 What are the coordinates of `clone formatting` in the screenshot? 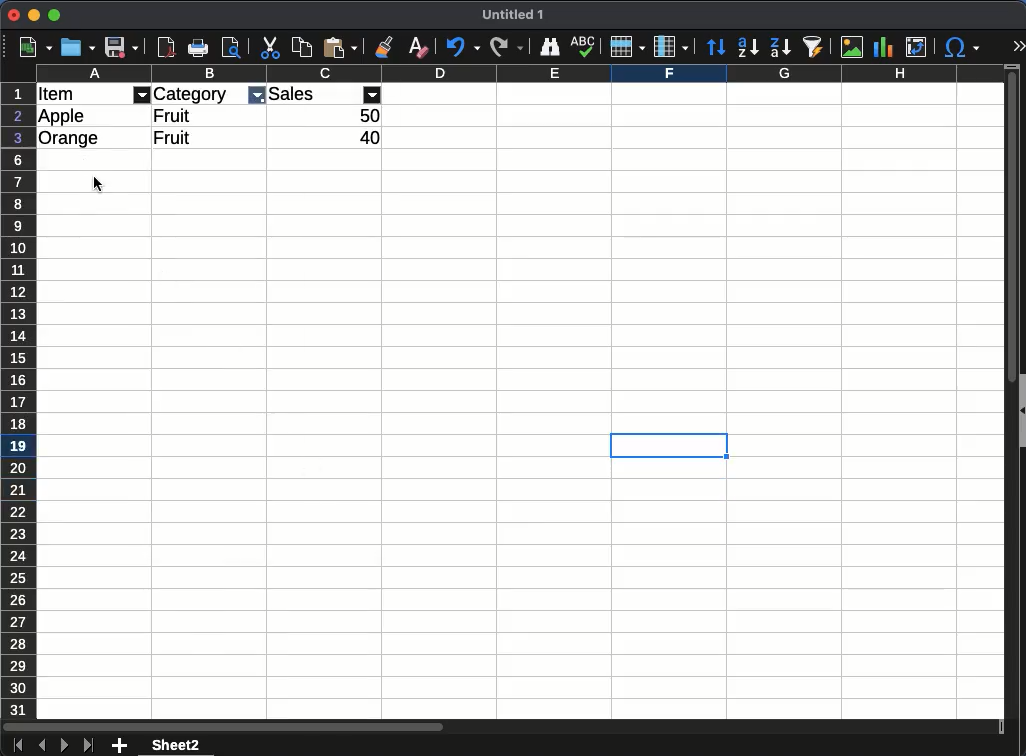 It's located at (383, 47).